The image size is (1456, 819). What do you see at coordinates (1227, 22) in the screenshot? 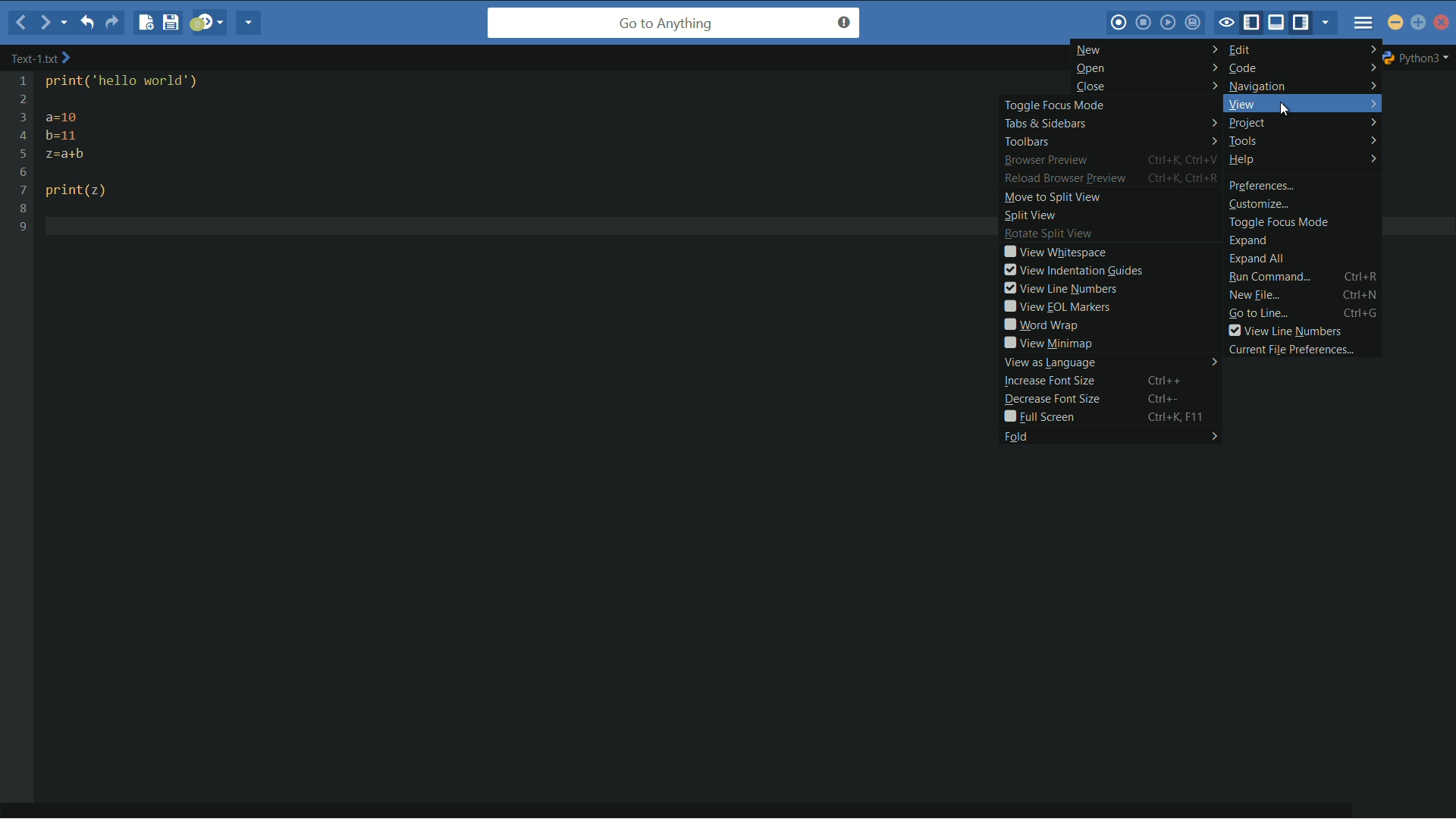
I see `toggle focus mode` at bounding box center [1227, 22].